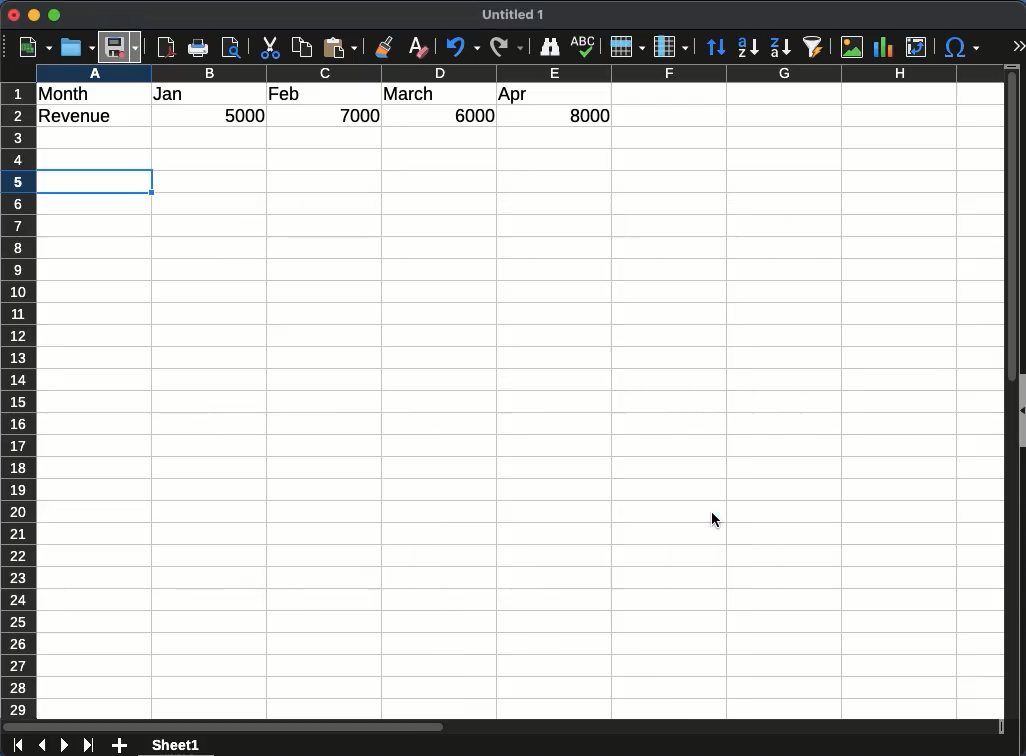 This screenshot has height=756, width=1026. Describe the element at coordinates (517, 15) in the screenshot. I see `Untitled 1` at that location.